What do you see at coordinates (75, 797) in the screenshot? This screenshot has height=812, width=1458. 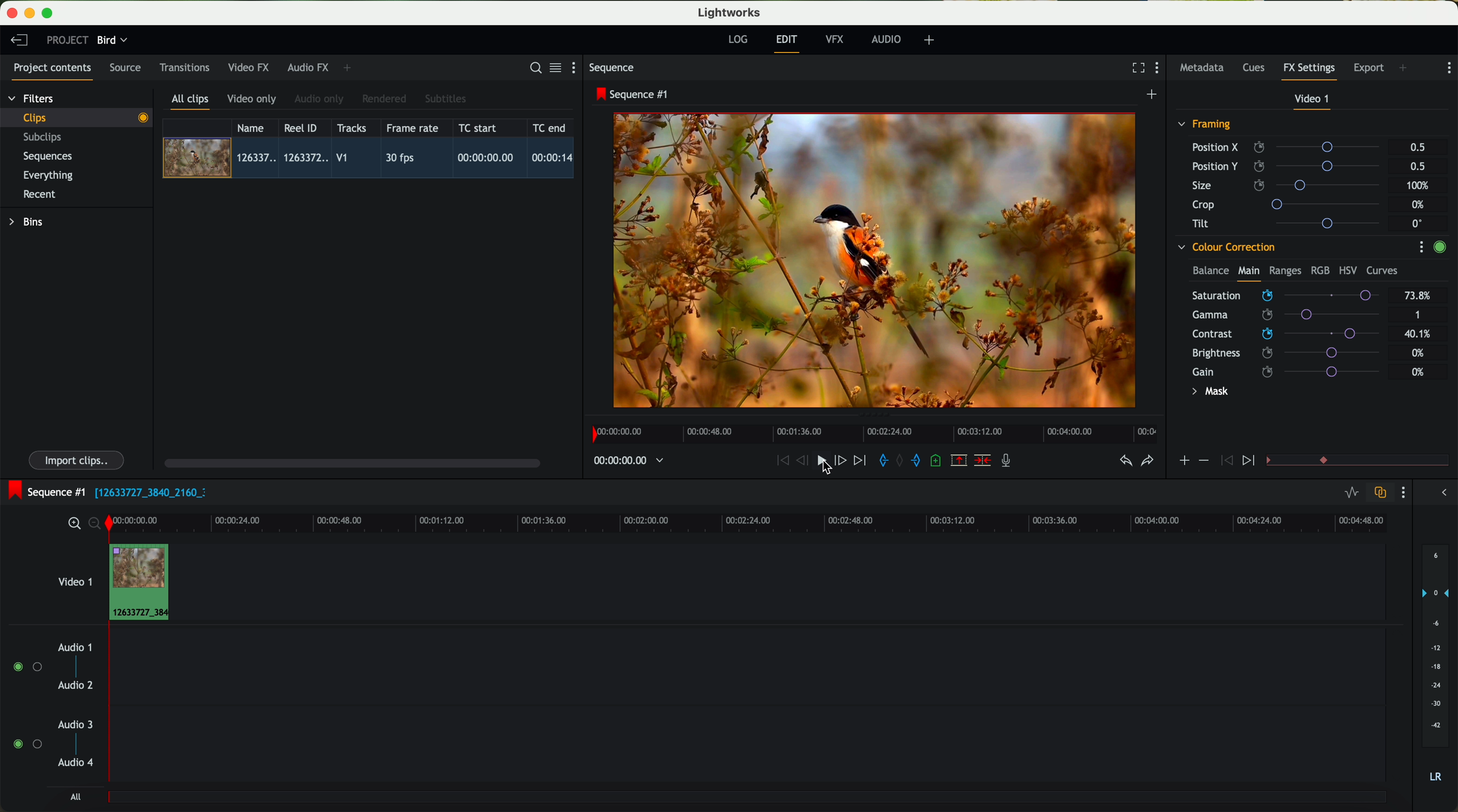 I see `all` at bounding box center [75, 797].